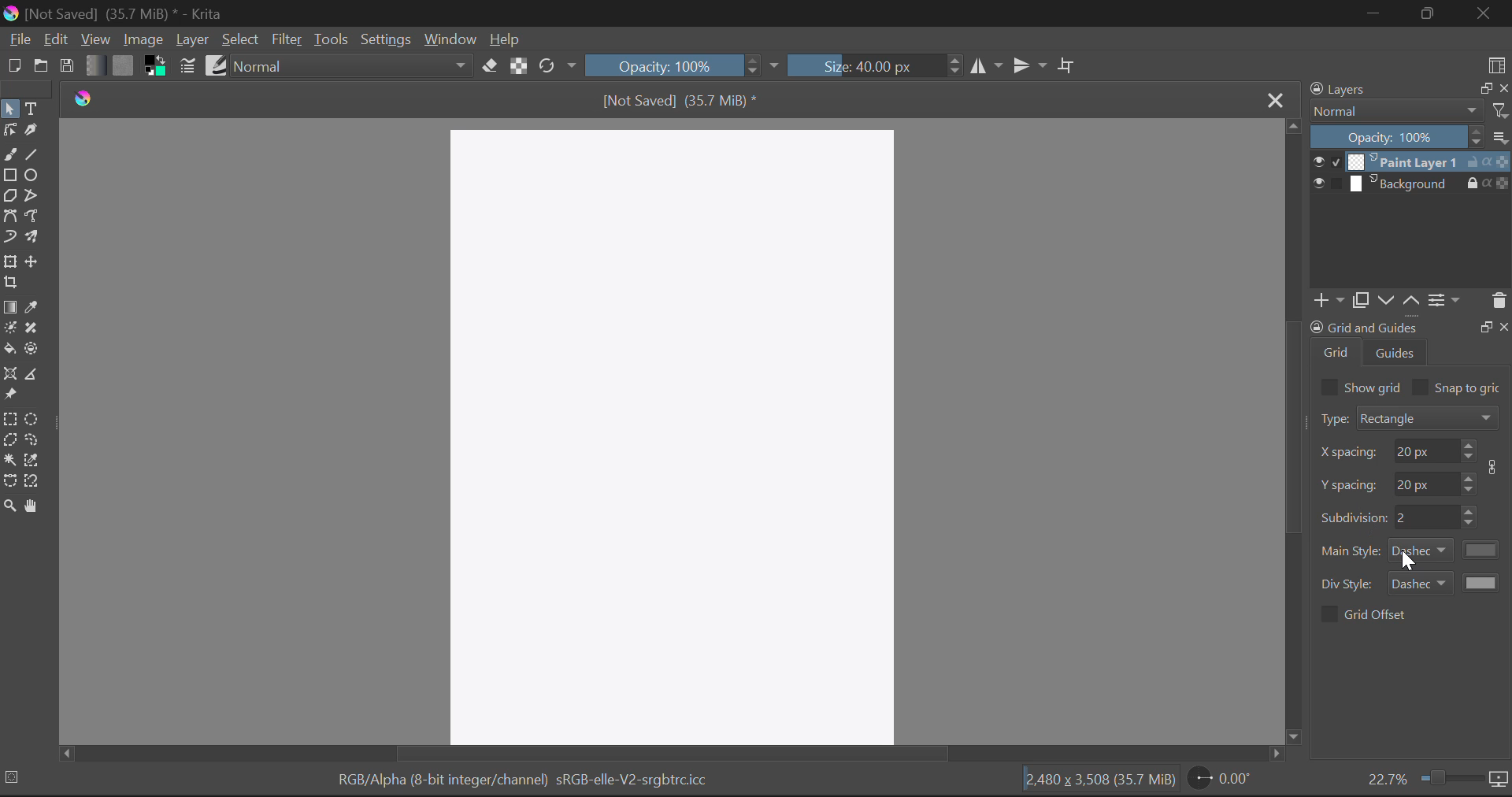 The height and width of the screenshot is (797, 1512). I want to click on grid and guide, so click(1363, 327).